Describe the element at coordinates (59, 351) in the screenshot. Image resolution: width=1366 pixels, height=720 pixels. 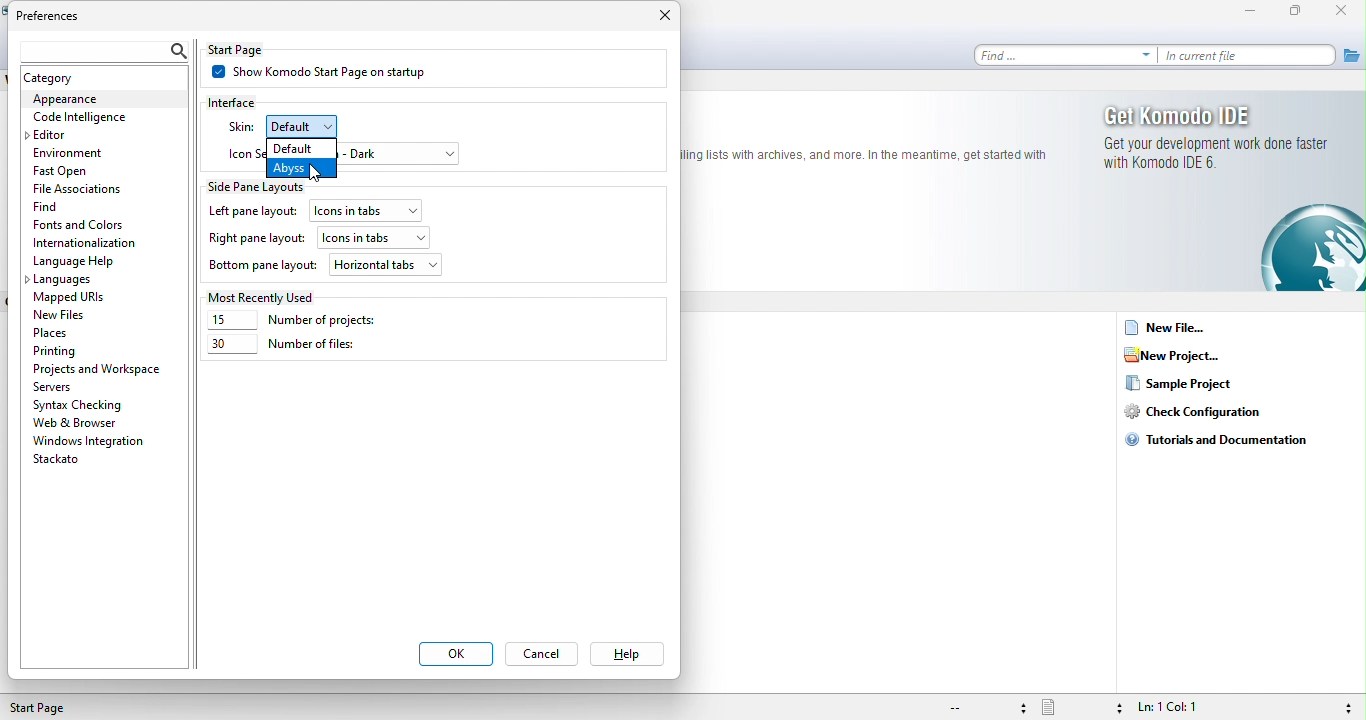
I see `printing` at that location.